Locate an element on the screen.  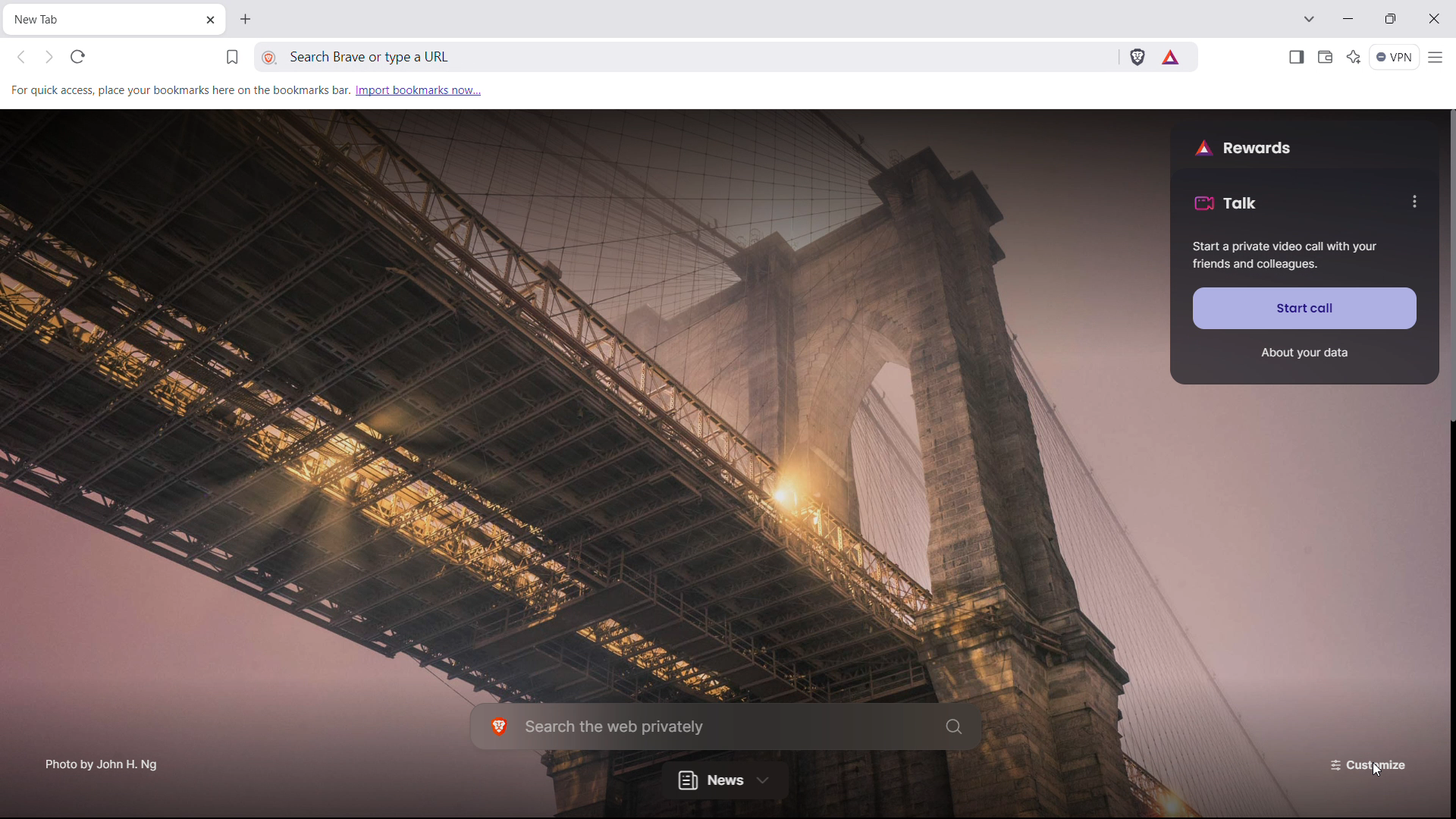
open new tab is located at coordinates (243, 19).